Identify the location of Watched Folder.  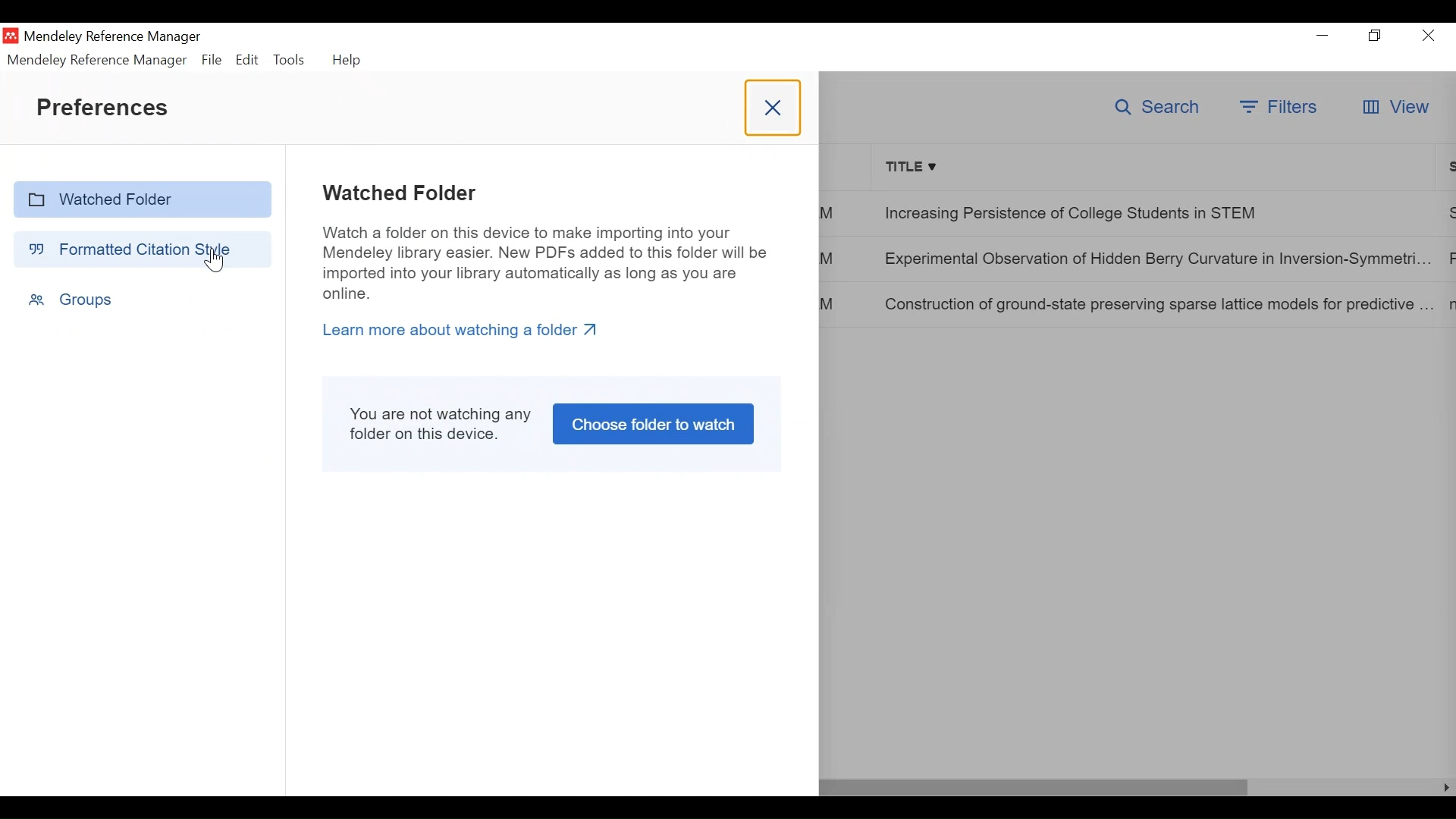
(143, 199).